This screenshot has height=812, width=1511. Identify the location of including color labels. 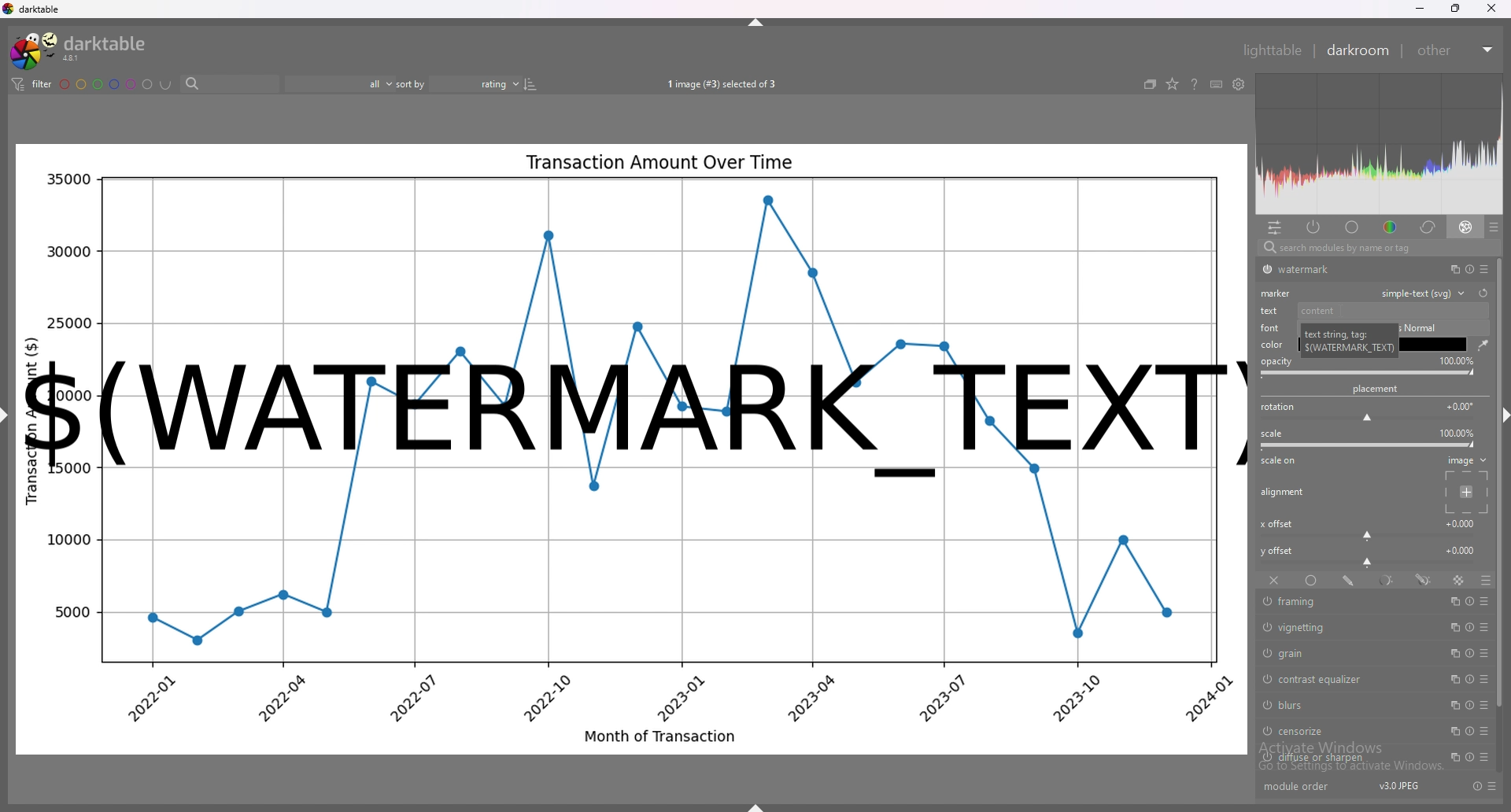
(165, 85).